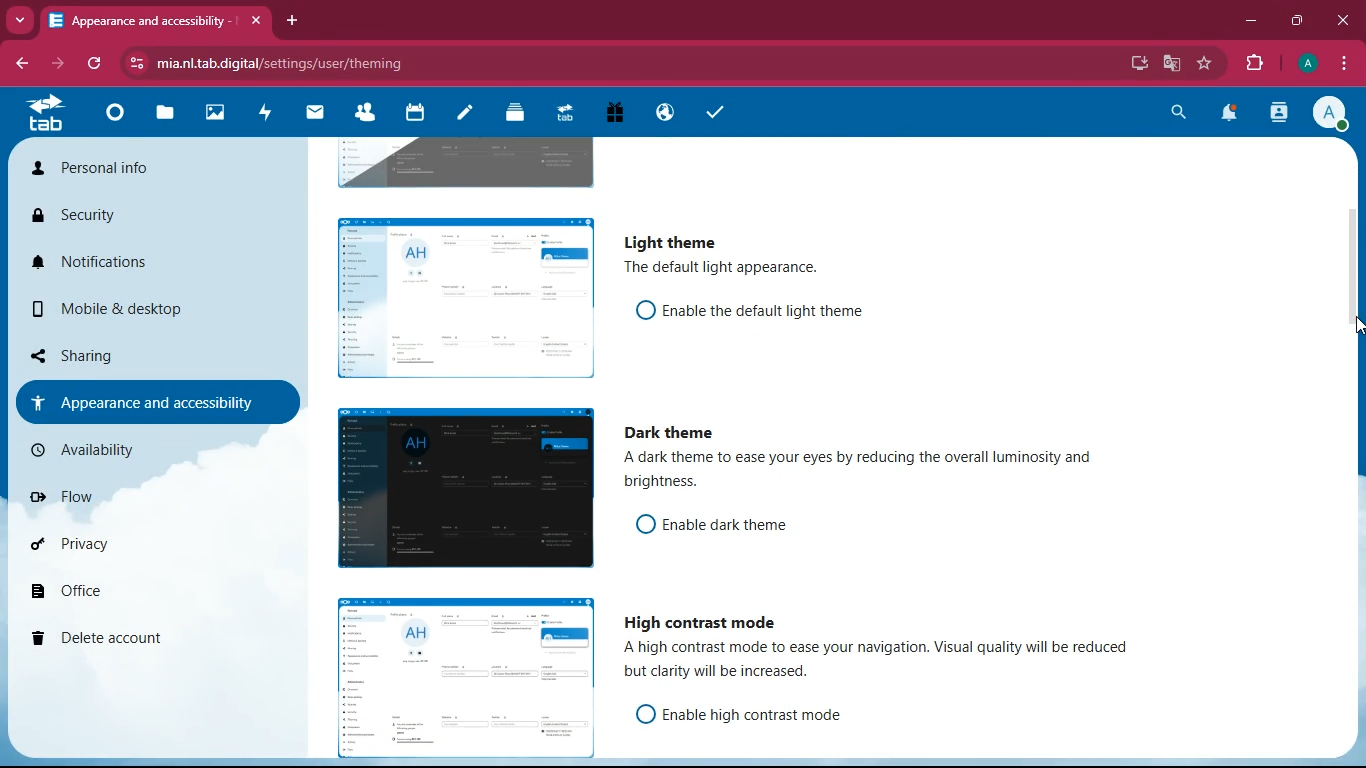 The height and width of the screenshot is (768, 1366). I want to click on forward, so click(60, 66).